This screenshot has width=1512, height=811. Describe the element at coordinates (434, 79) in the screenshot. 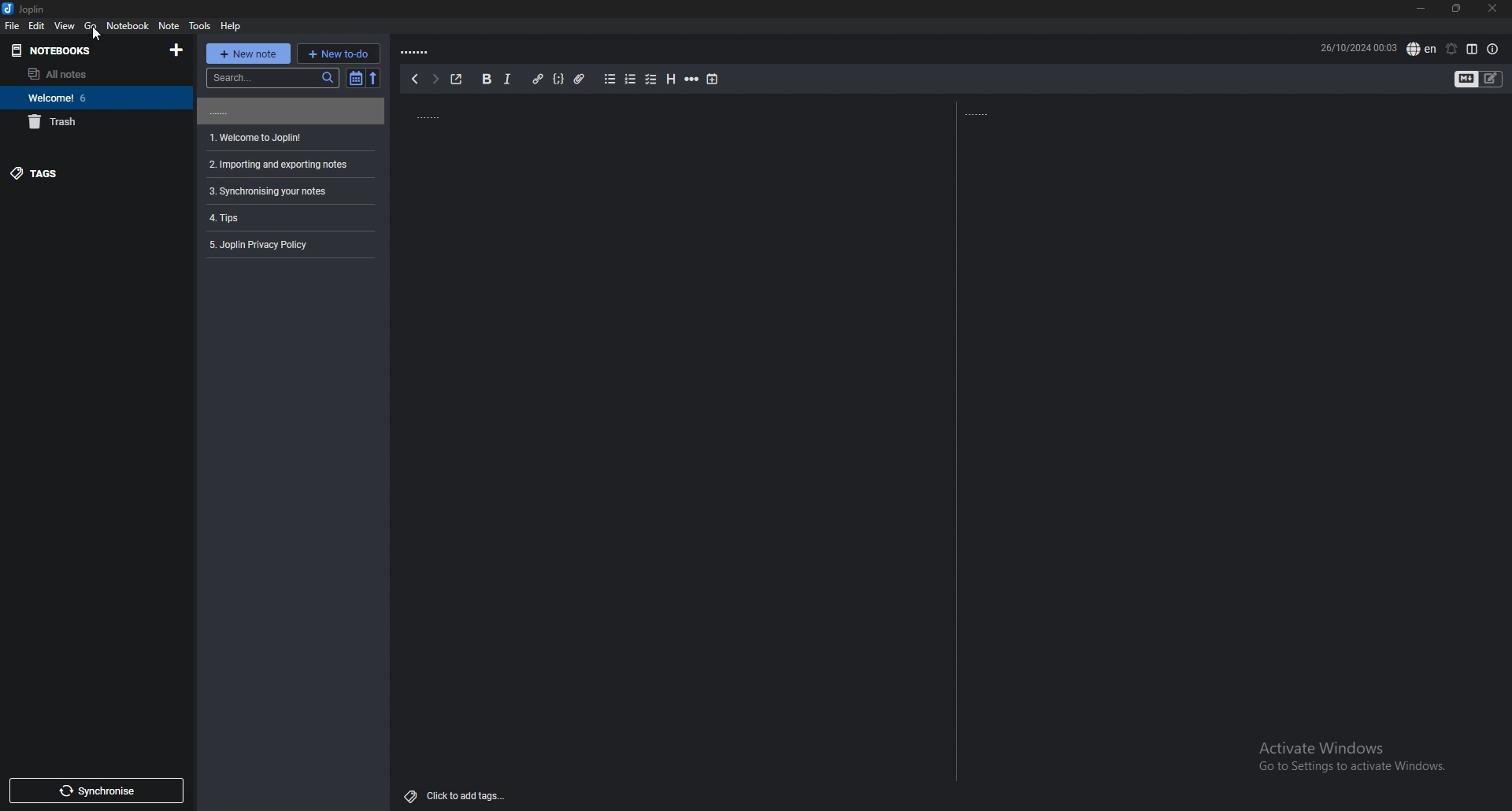

I see `forward` at that location.